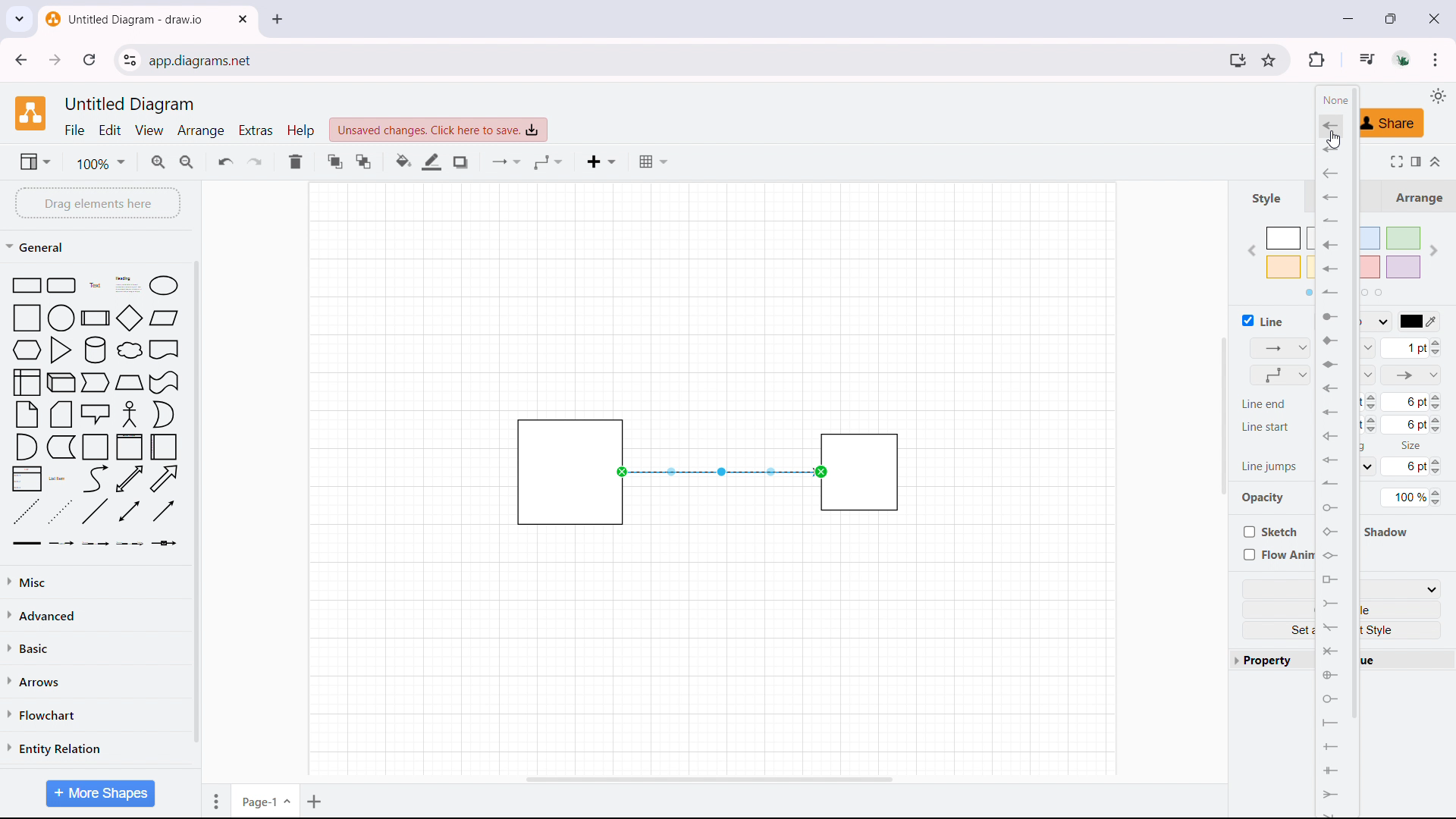  I want to click on add page, so click(316, 800).